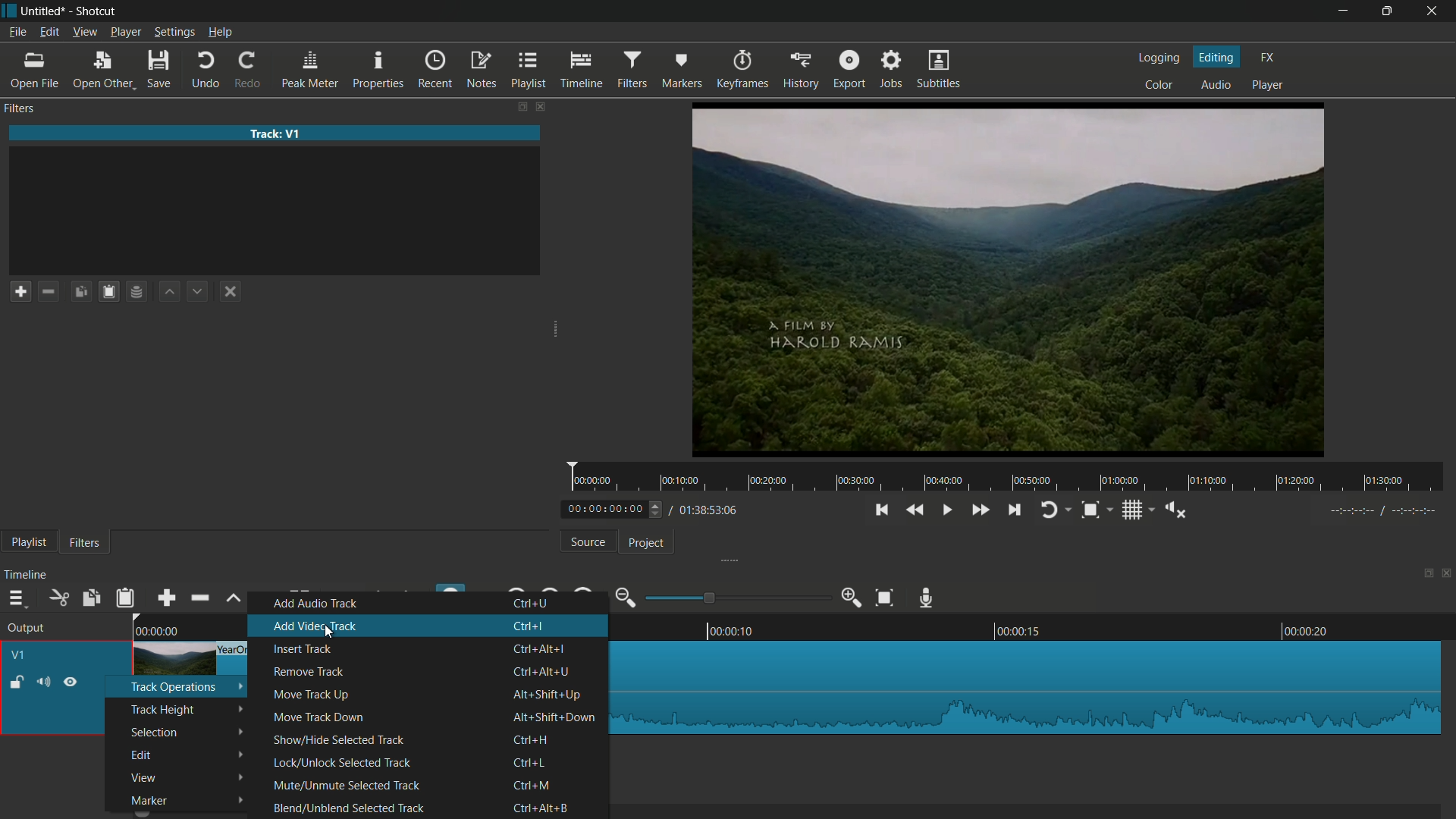 Image resolution: width=1456 pixels, height=819 pixels. What do you see at coordinates (310, 71) in the screenshot?
I see `peak meter` at bounding box center [310, 71].